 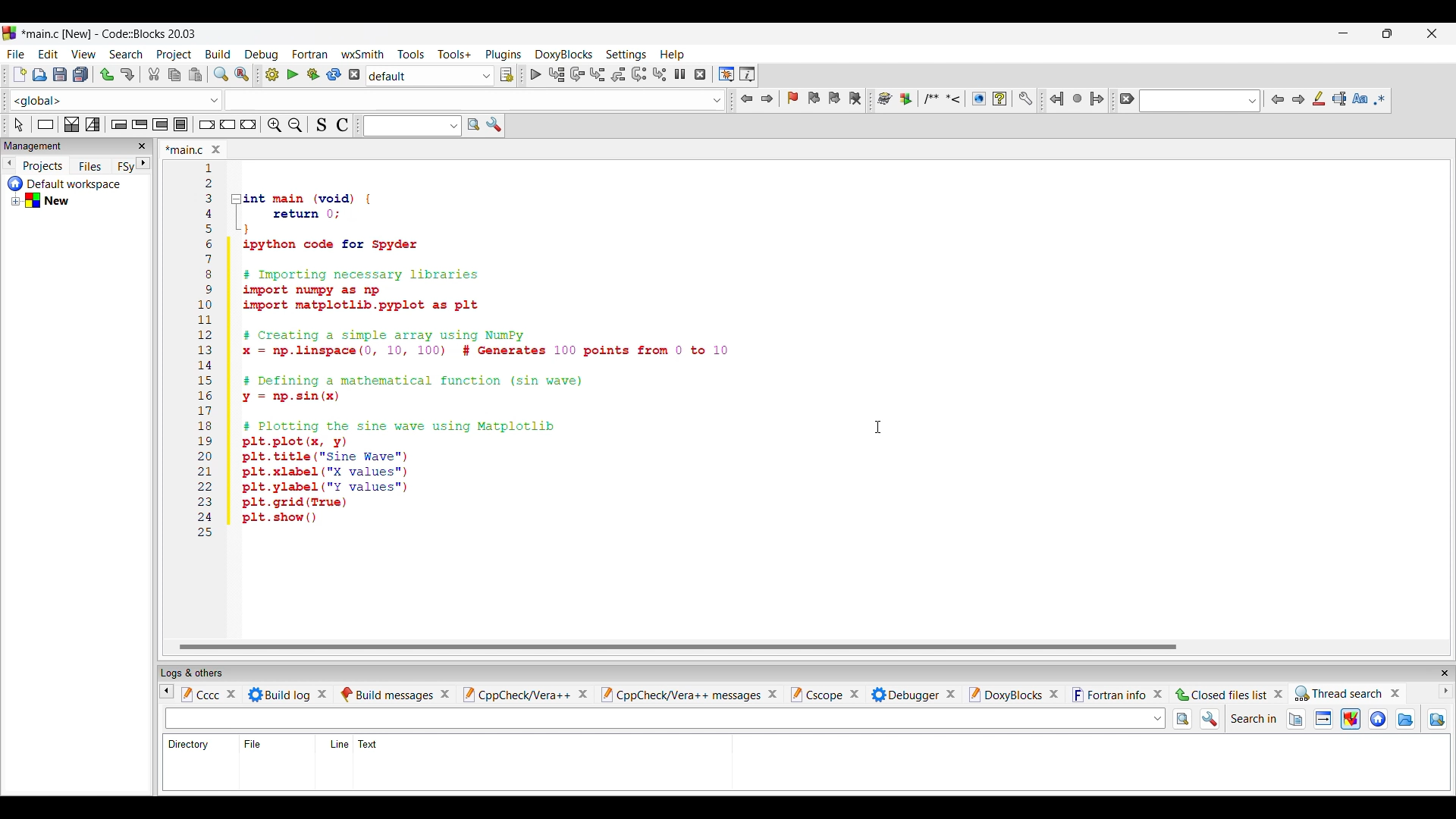 I want to click on , so click(x=823, y=693).